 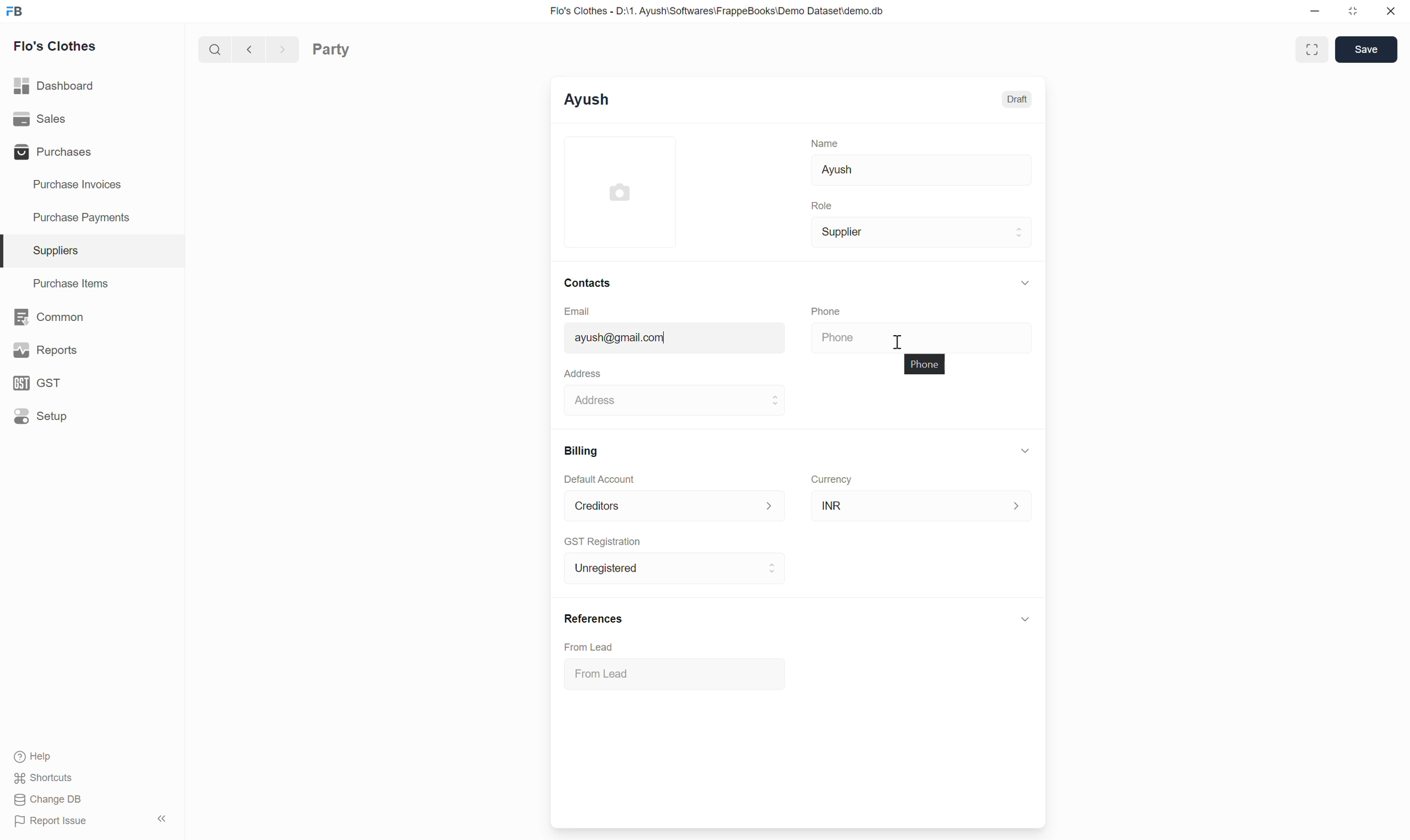 What do you see at coordinates (583, 373) in the screenshot?
I see `Address` at bounding box center [583, 373].